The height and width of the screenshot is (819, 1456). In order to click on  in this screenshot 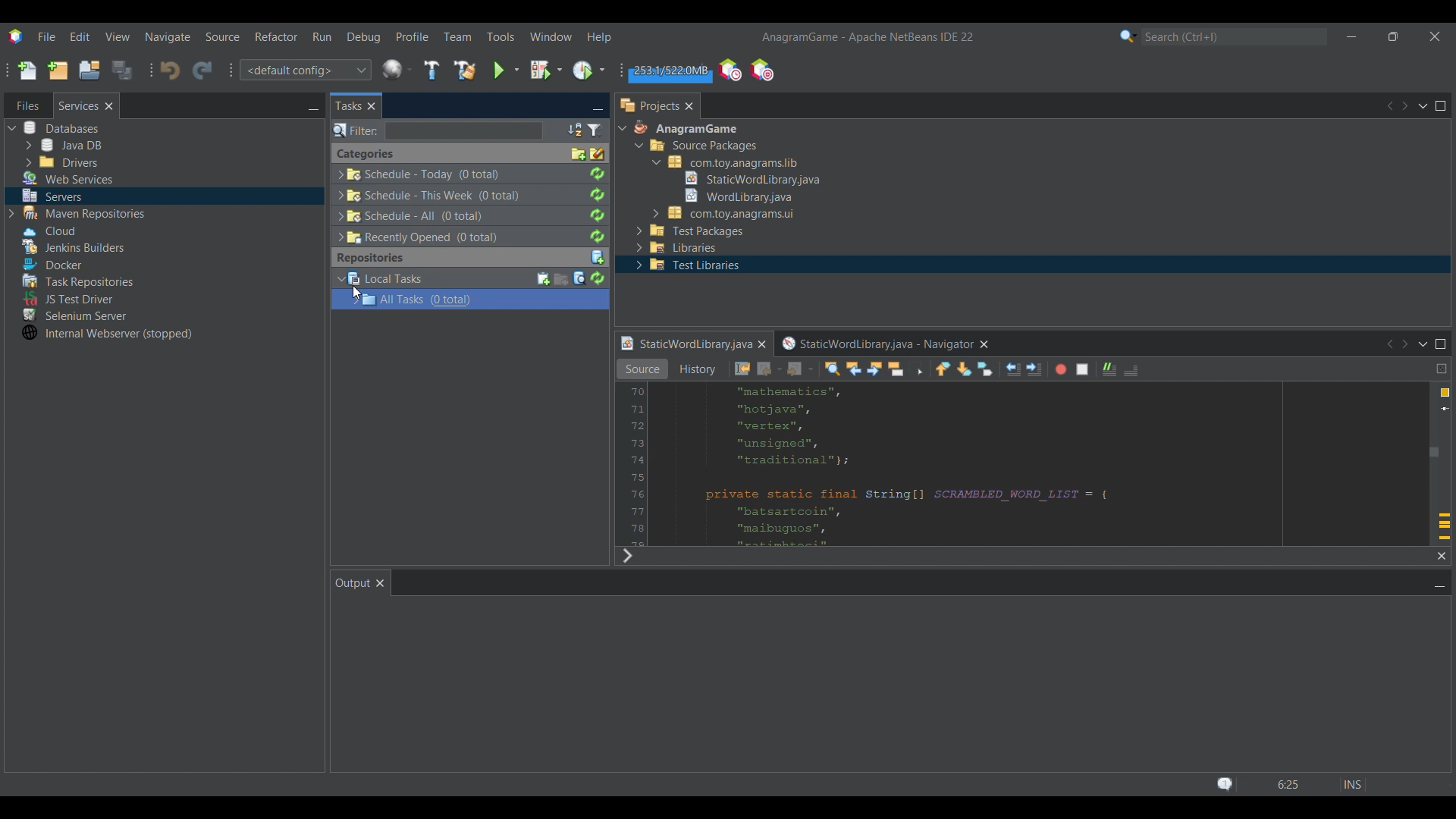, I will do `click(1023, 369)`.